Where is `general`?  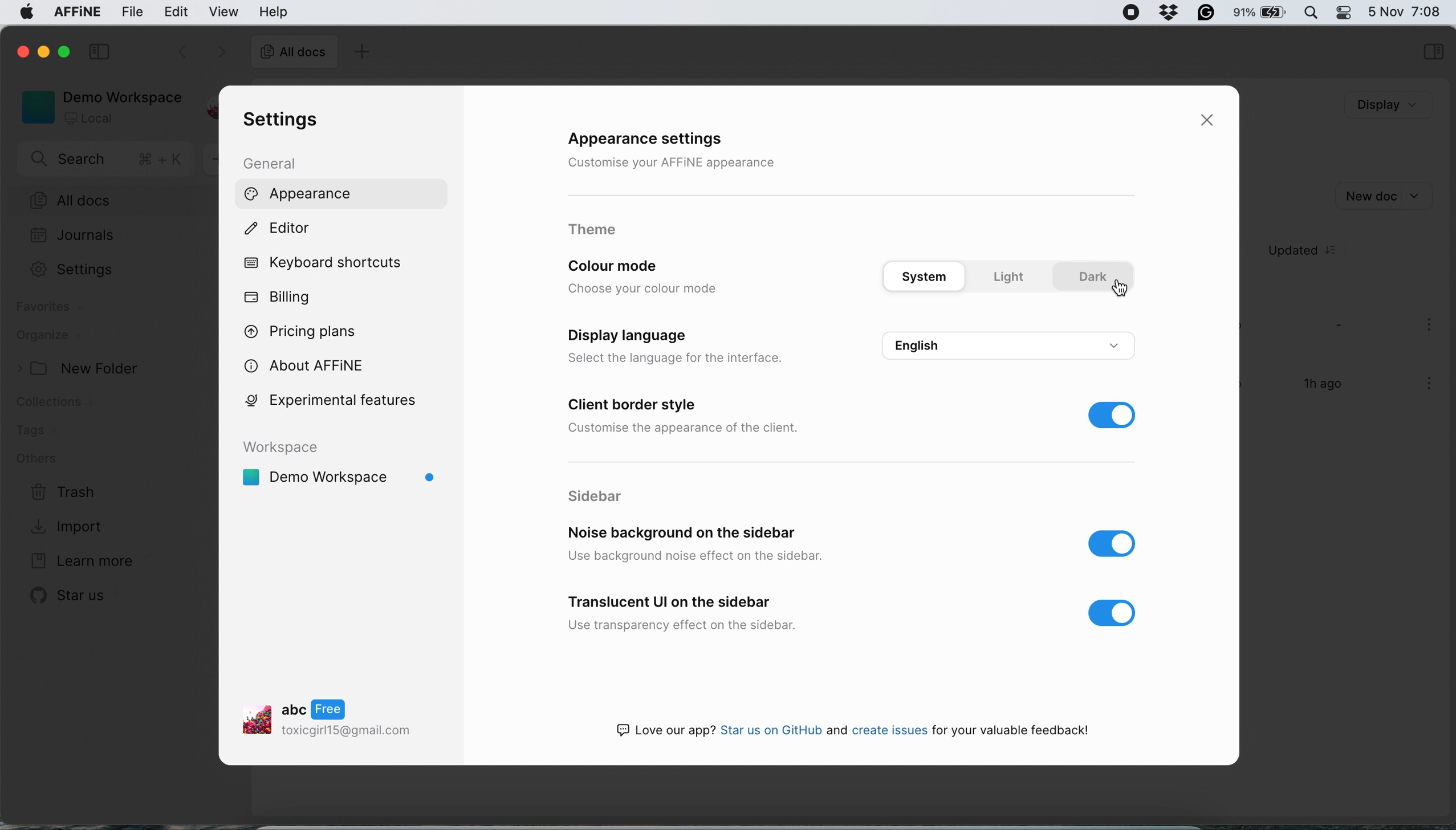 general is located at coordinates (271, 164).